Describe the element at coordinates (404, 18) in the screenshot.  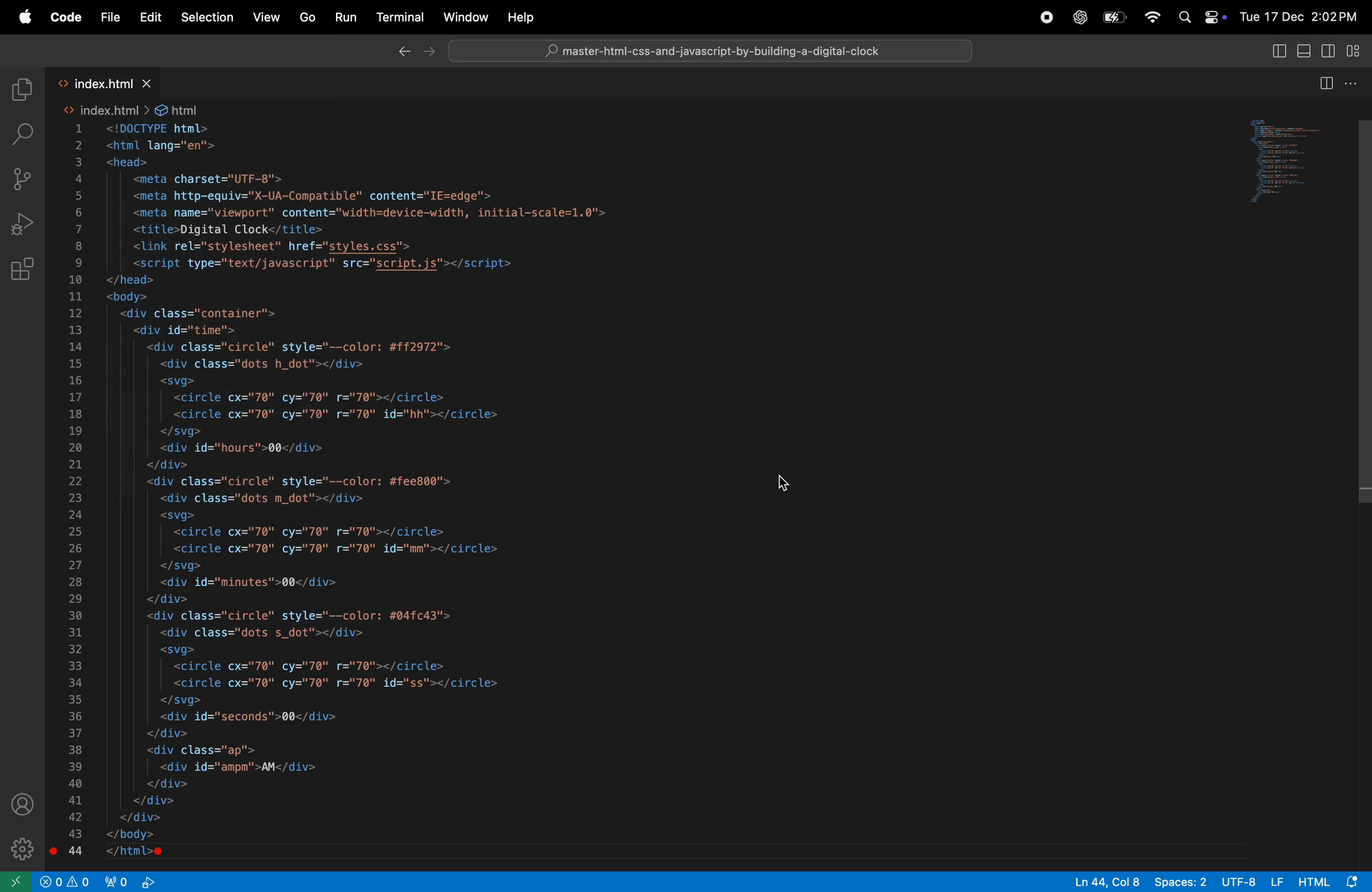
I see `terminal` at that location.